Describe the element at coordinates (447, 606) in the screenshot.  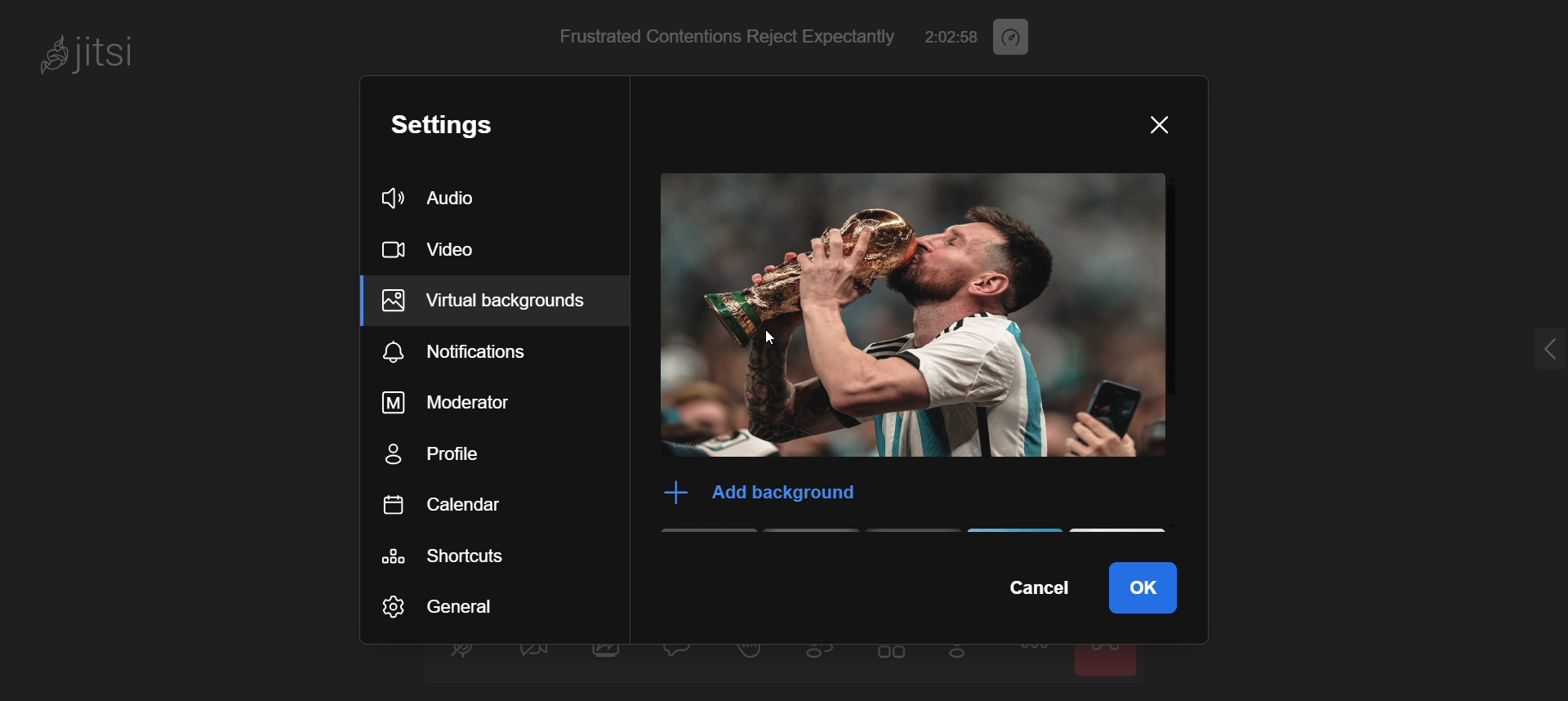
I see `General ` at that location.